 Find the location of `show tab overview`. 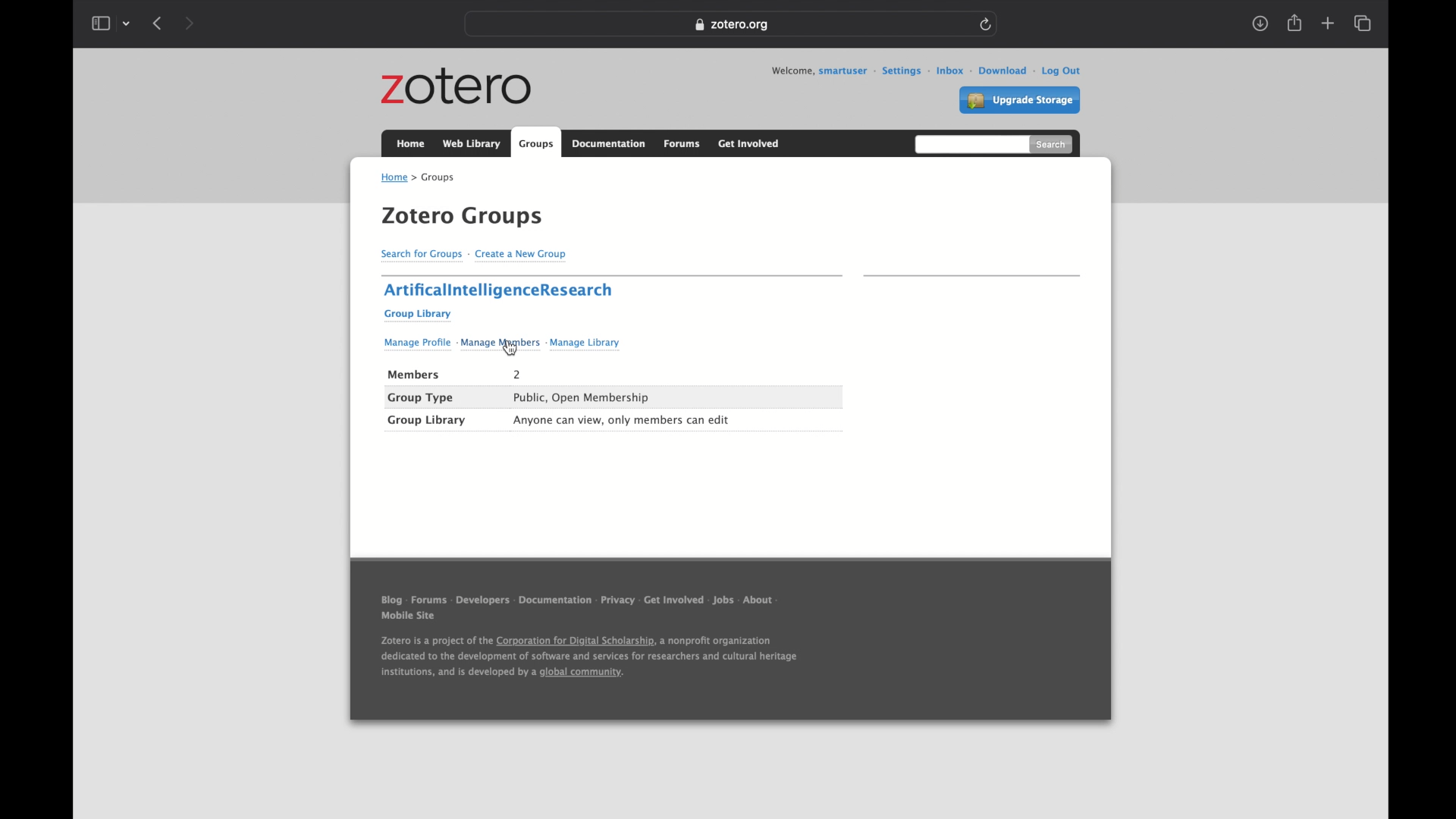

show tab overview is located at coordinates (1364, 24).